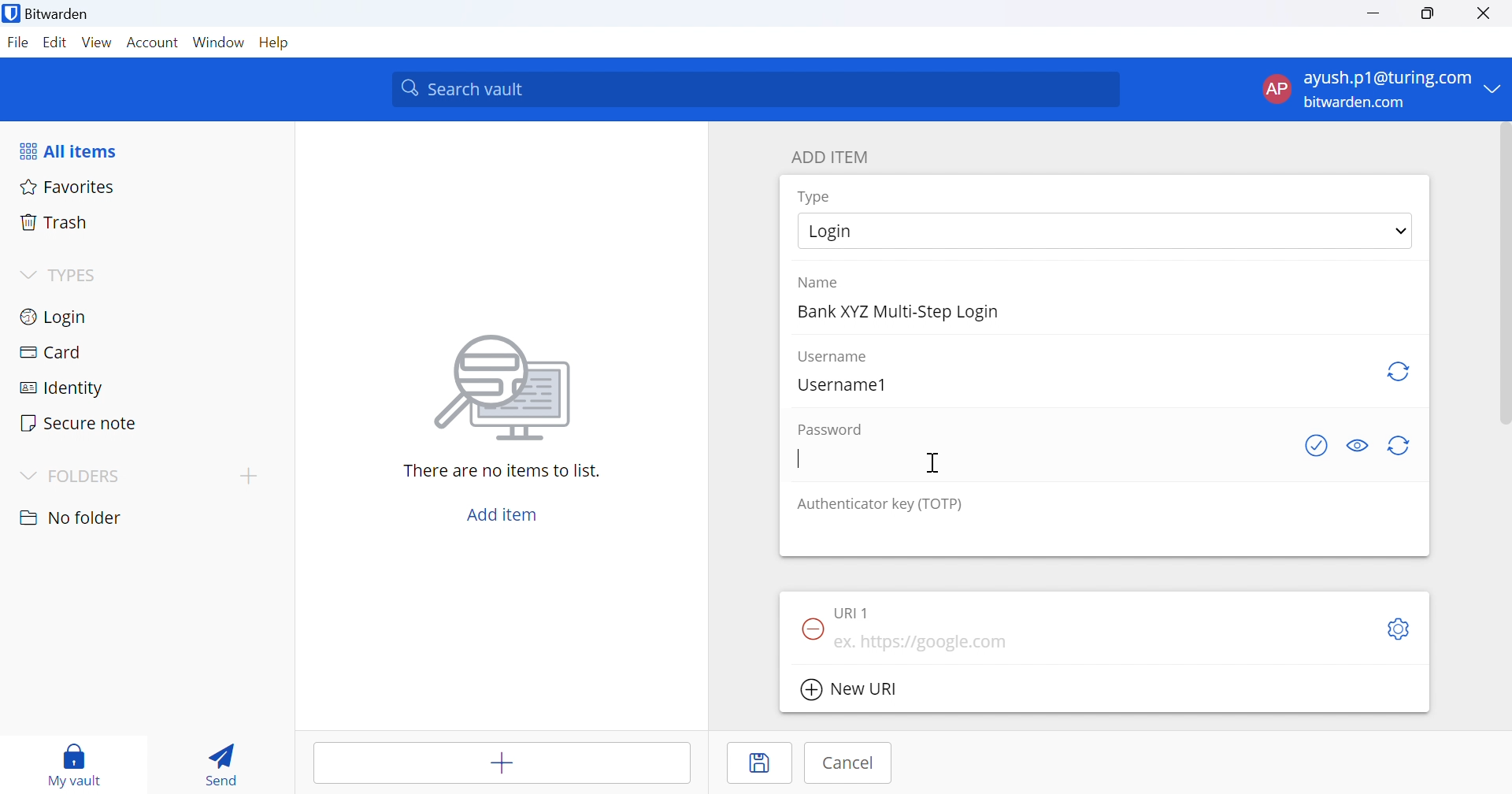  What do you see at coordinates (50, 17) in the screenshot?
I see `Bitwarden` at bounding box center [50, 17].